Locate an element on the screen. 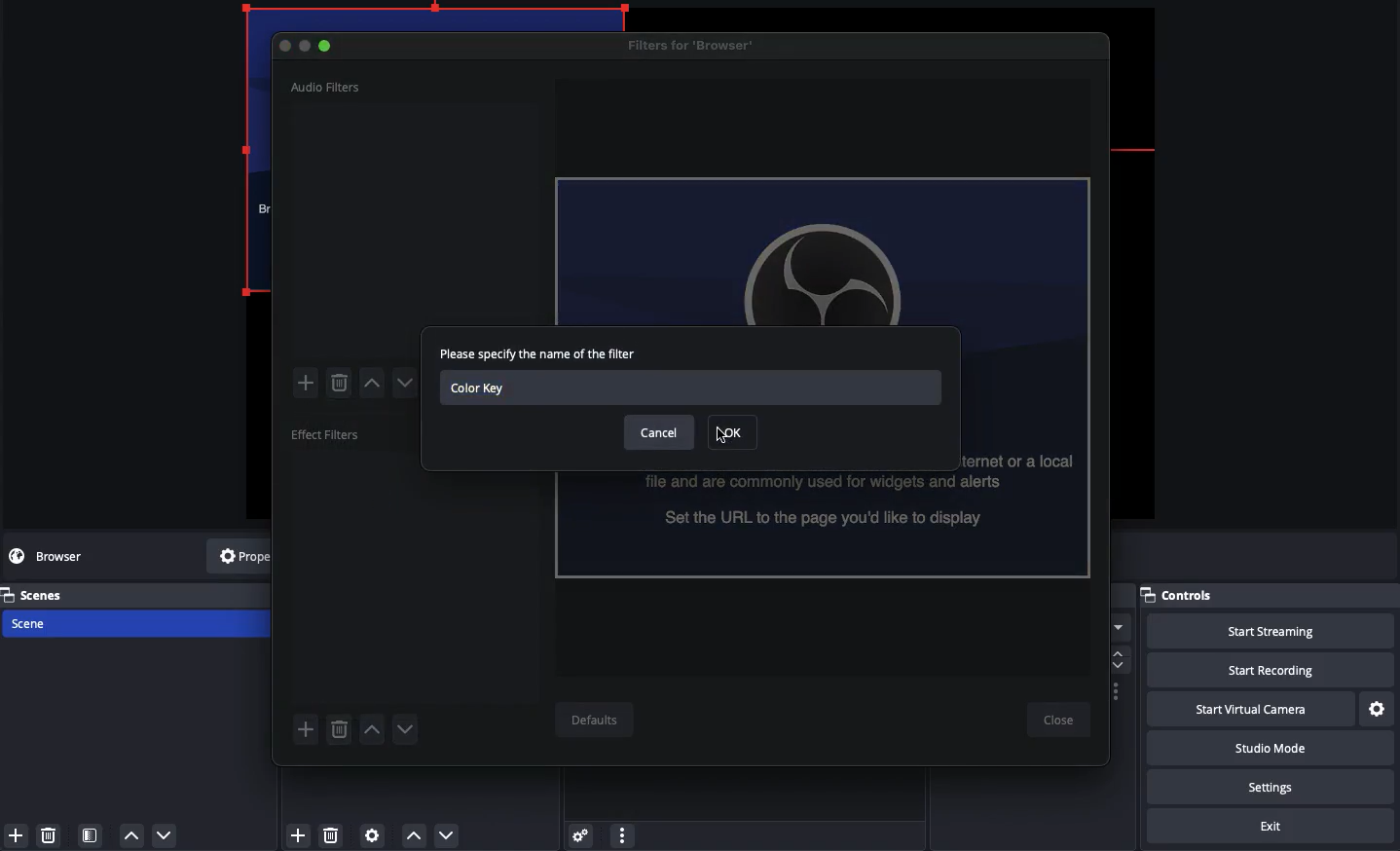 This screenshot has width=1400, height=851. Add is located at coordinates (16, 834).